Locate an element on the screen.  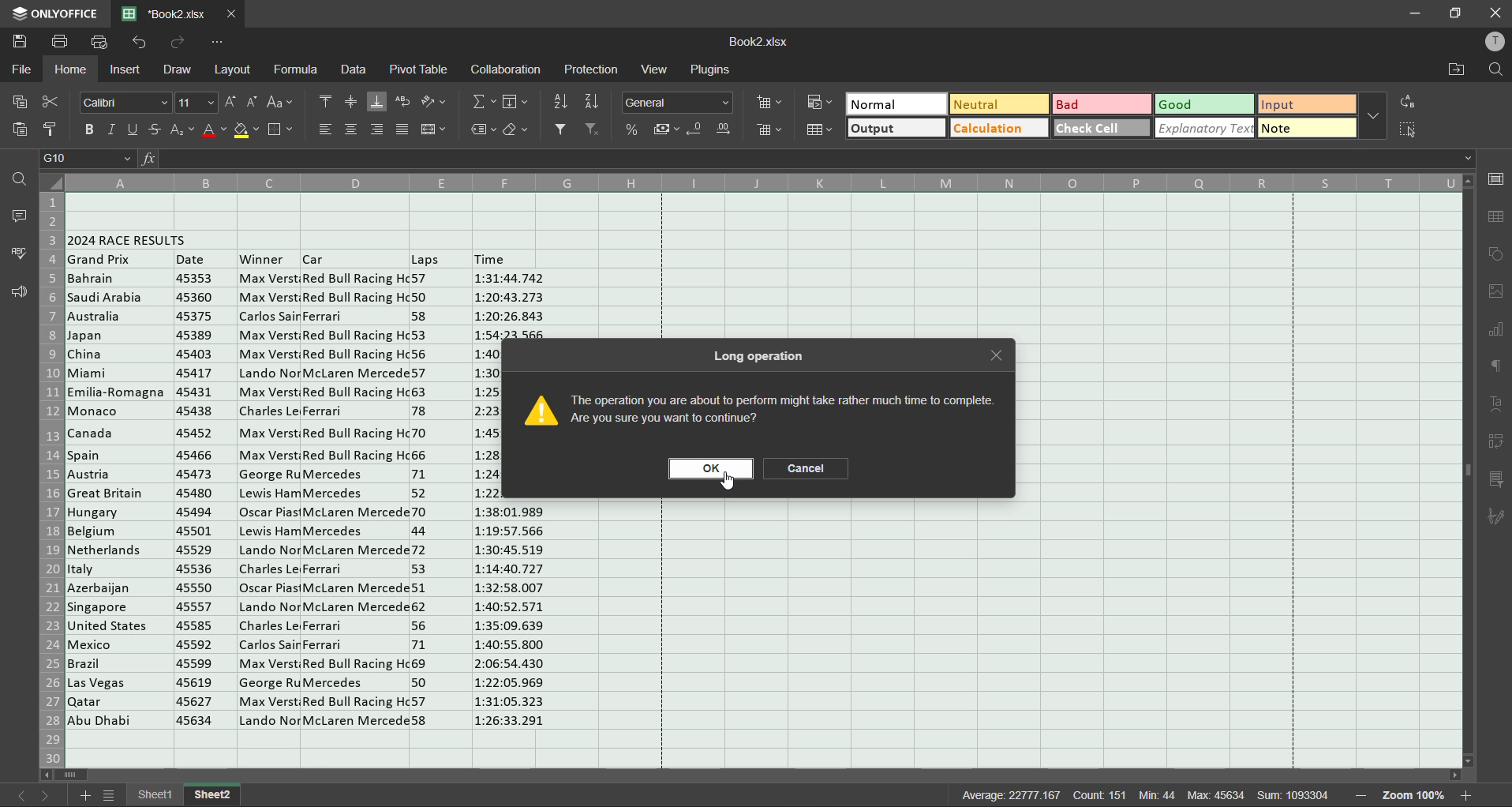
collaboration is located at coordinates (505, 69).